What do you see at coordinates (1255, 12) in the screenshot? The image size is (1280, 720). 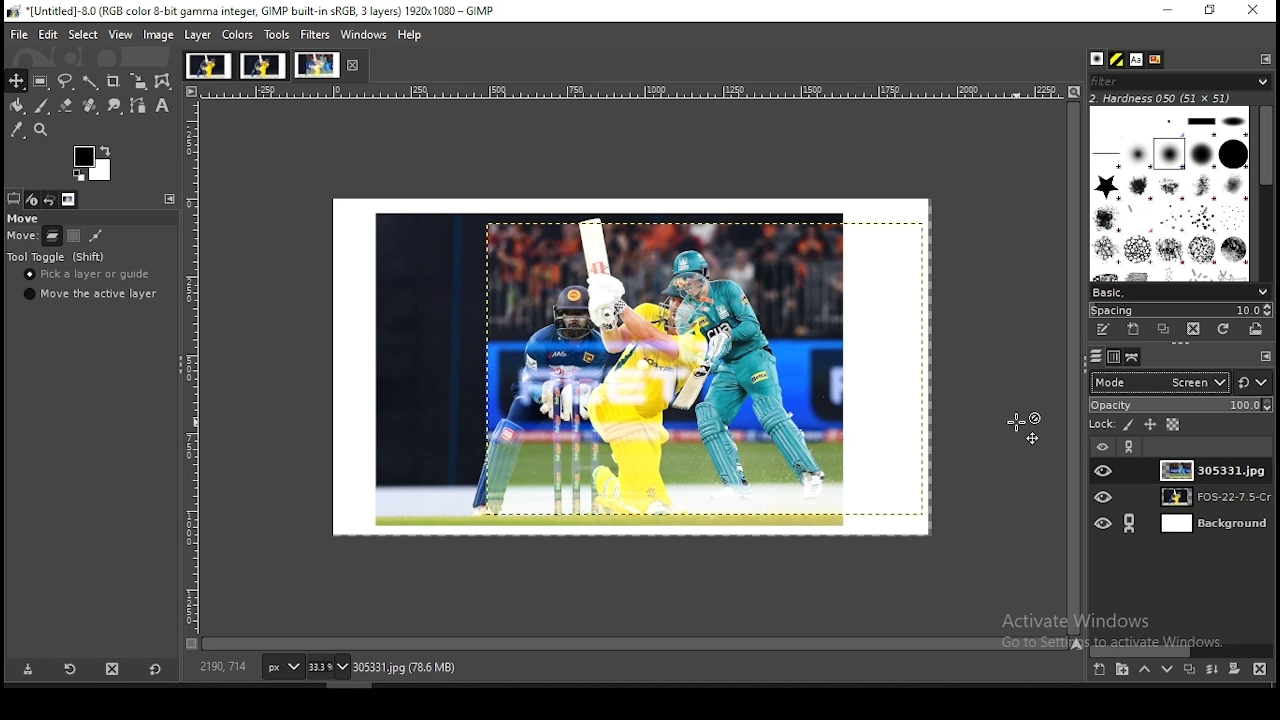 I see `close window` at bounding box center [1255, 12].